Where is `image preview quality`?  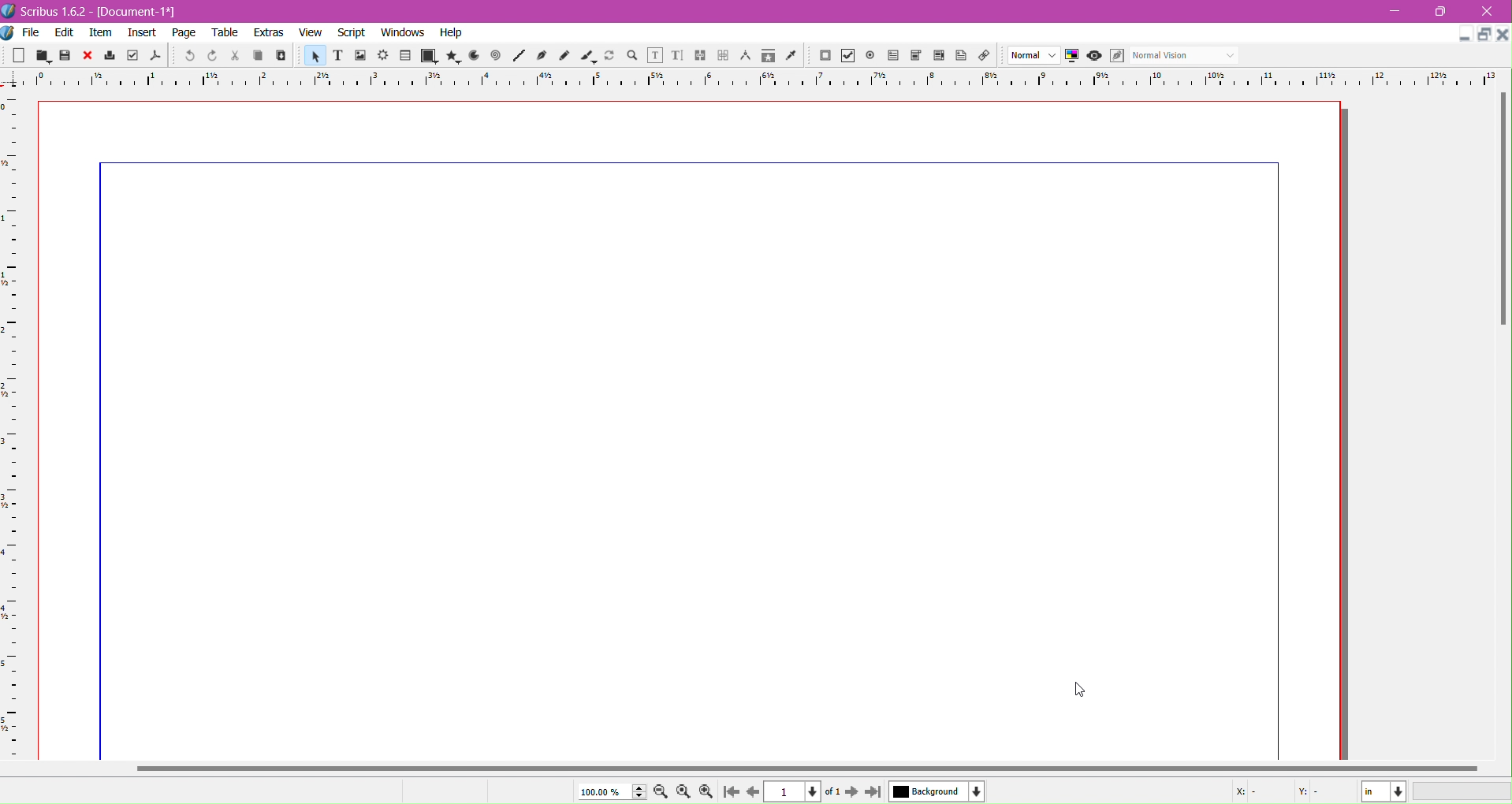
image preview quality is located at coordinates (1034, 56).